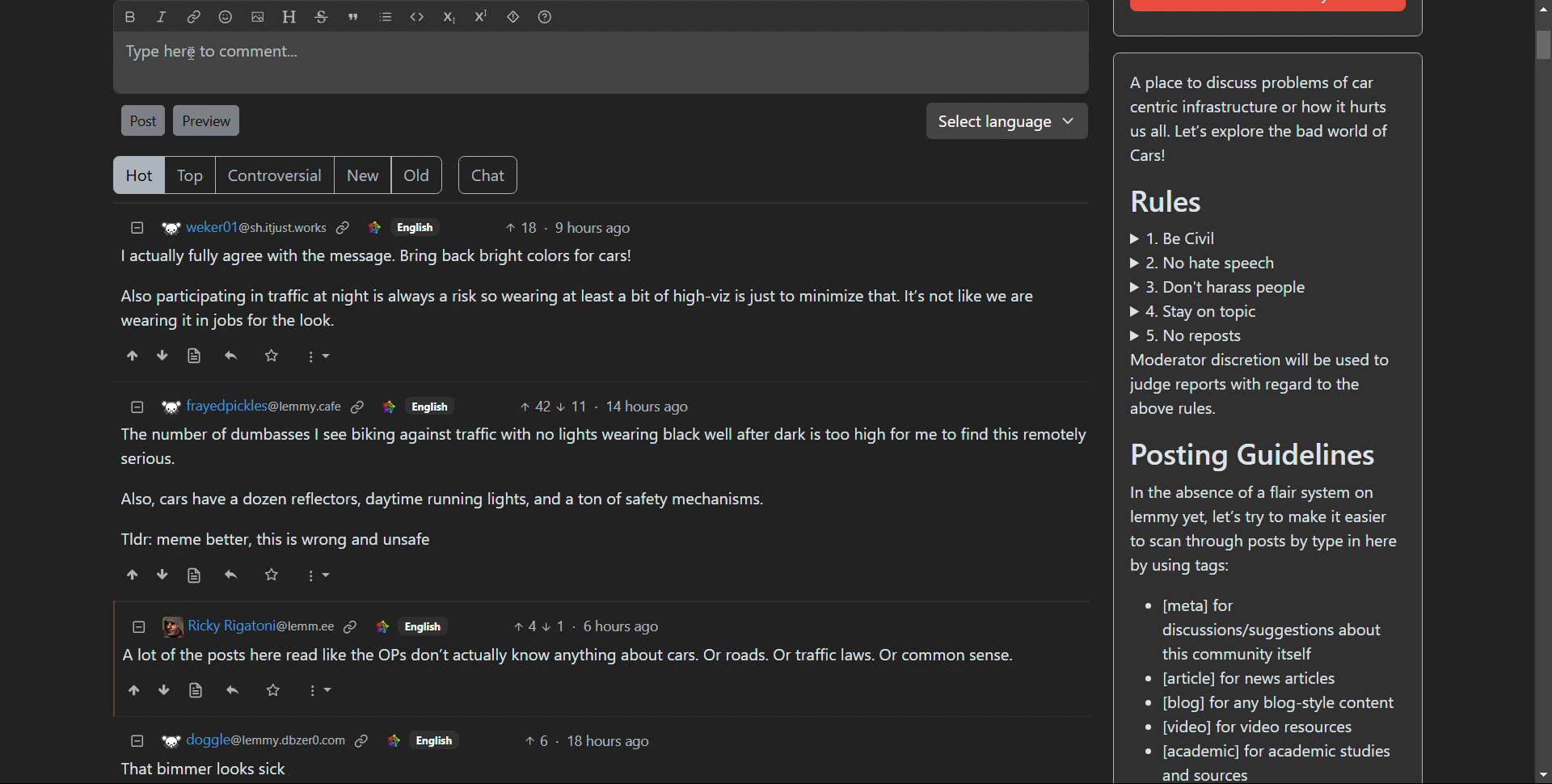  Describe the element at coordinates (162, 18) in the screenshot. I see `italic` at that location.